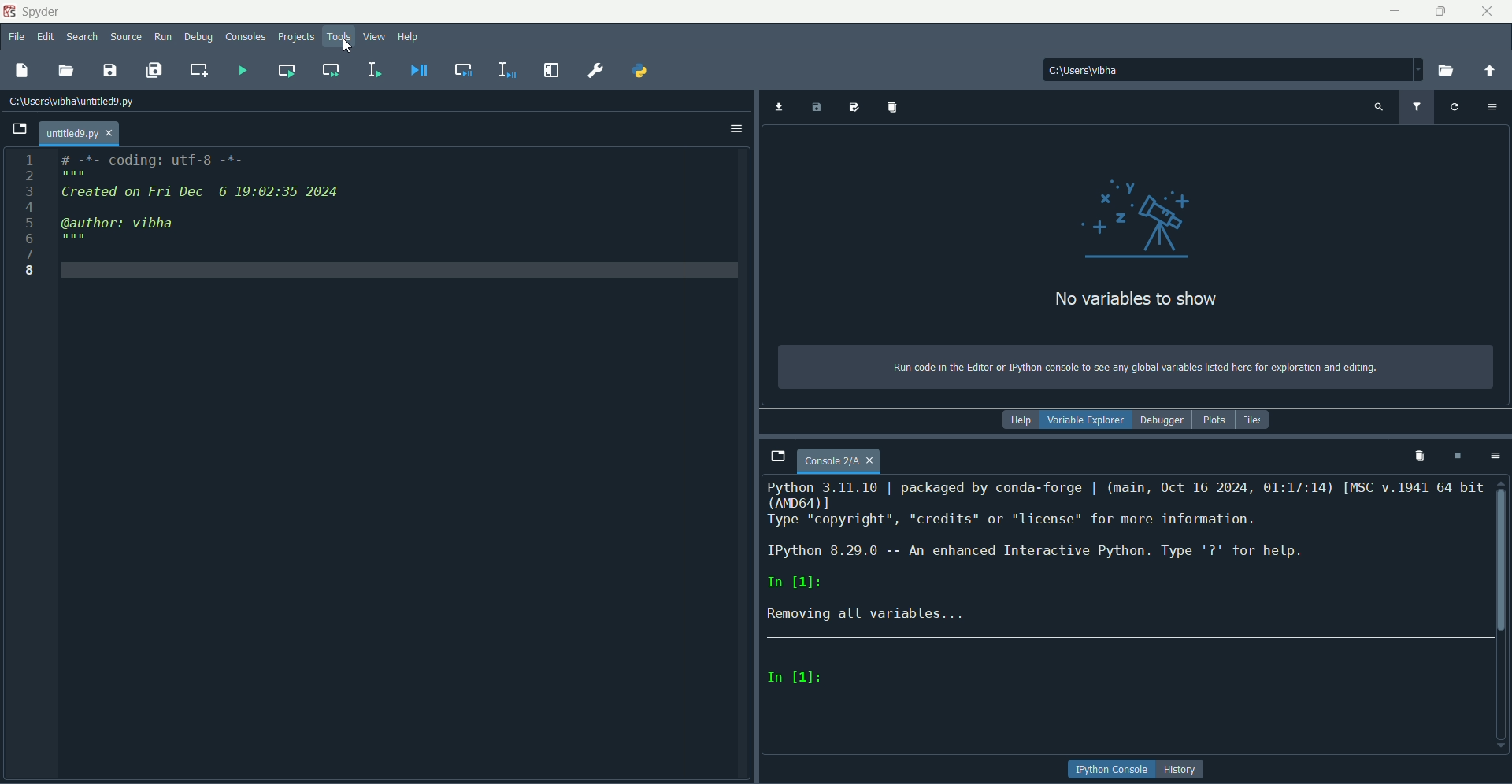  I want to click on preferences, so click(594, 71).